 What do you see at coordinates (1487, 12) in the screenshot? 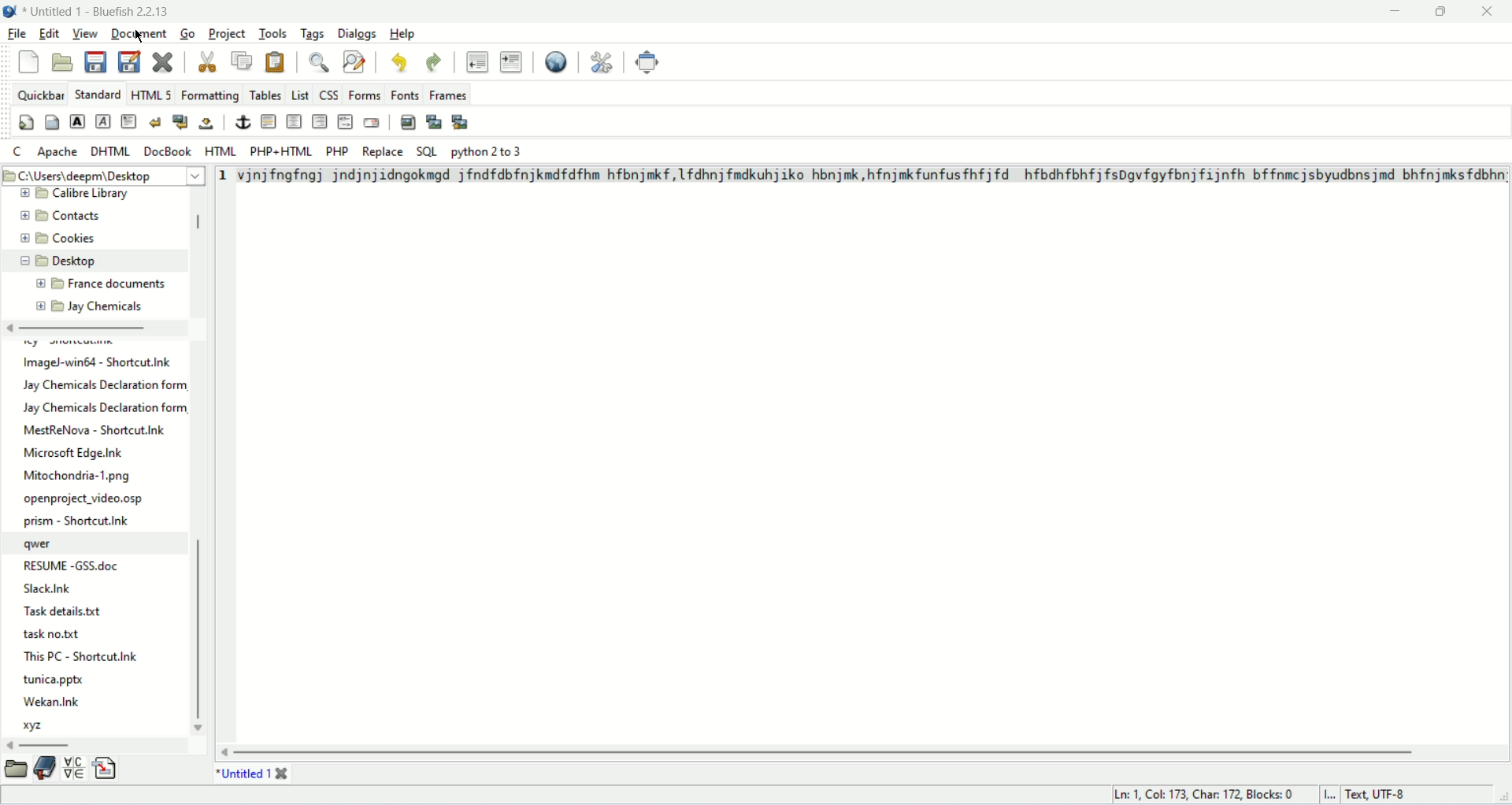
I see `close` at bounding box center [1487, 12].